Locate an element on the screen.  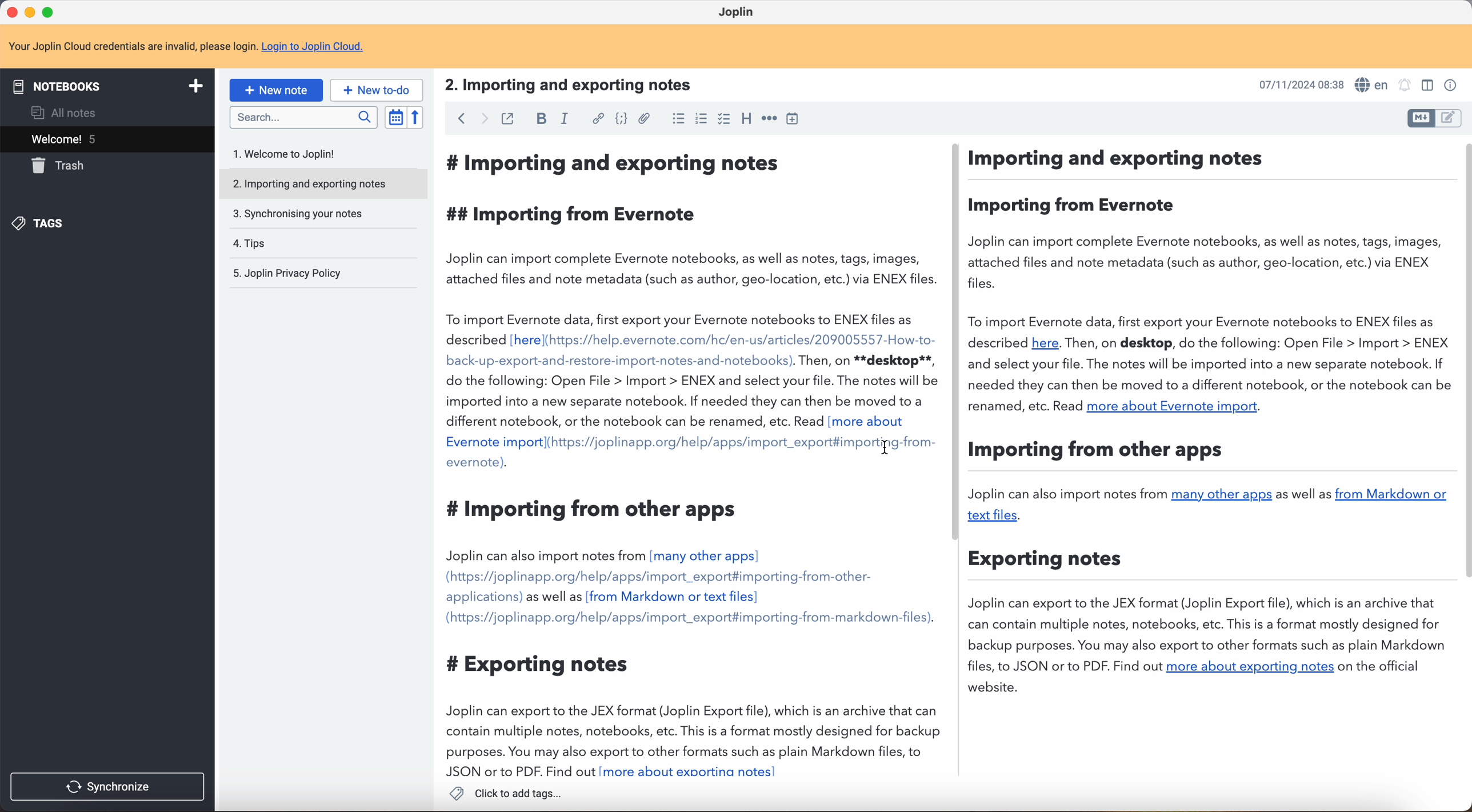
italic is located at coordinates (566, 119).